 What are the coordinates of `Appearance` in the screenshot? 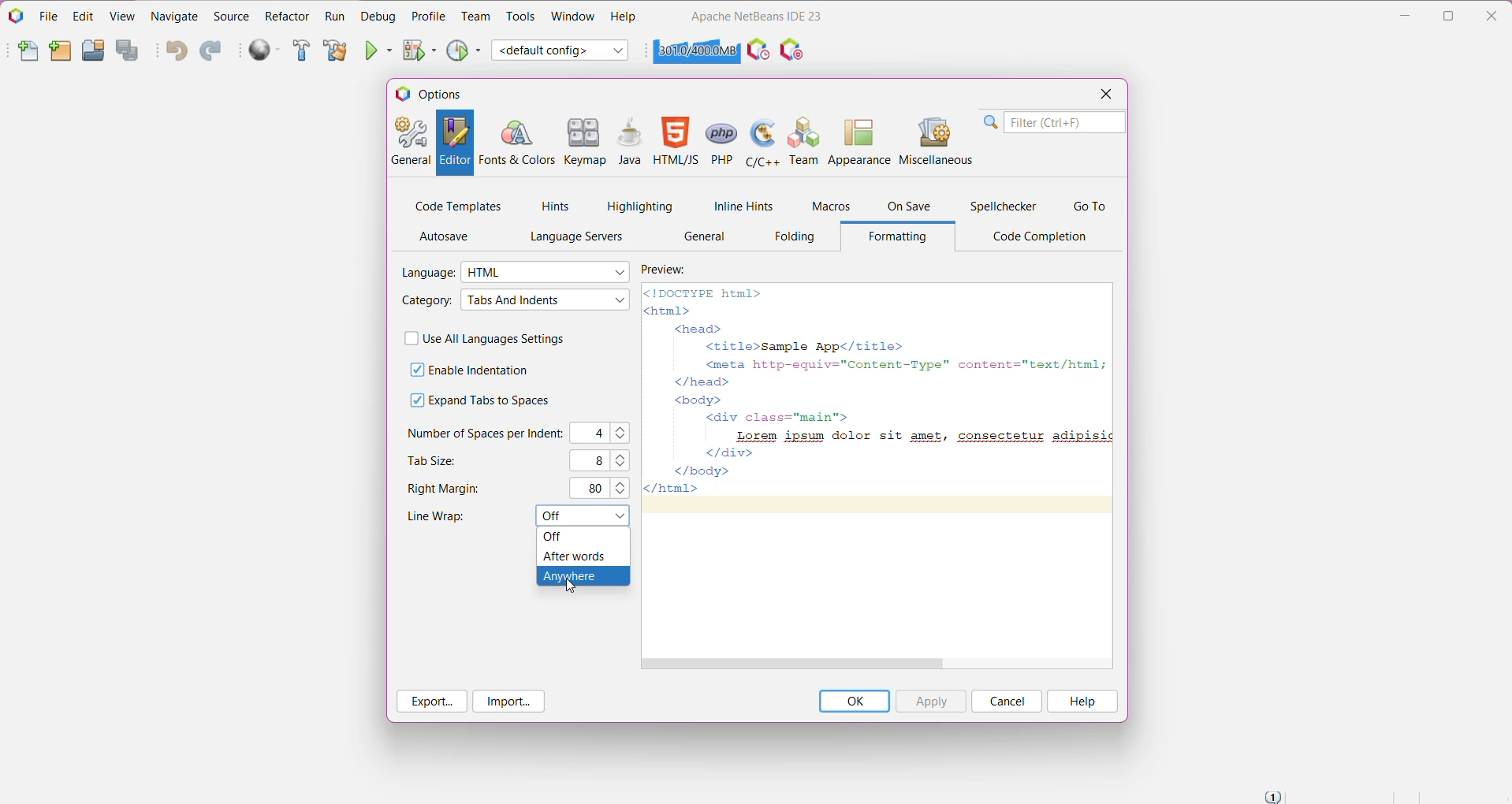 It's located at (858, 140).